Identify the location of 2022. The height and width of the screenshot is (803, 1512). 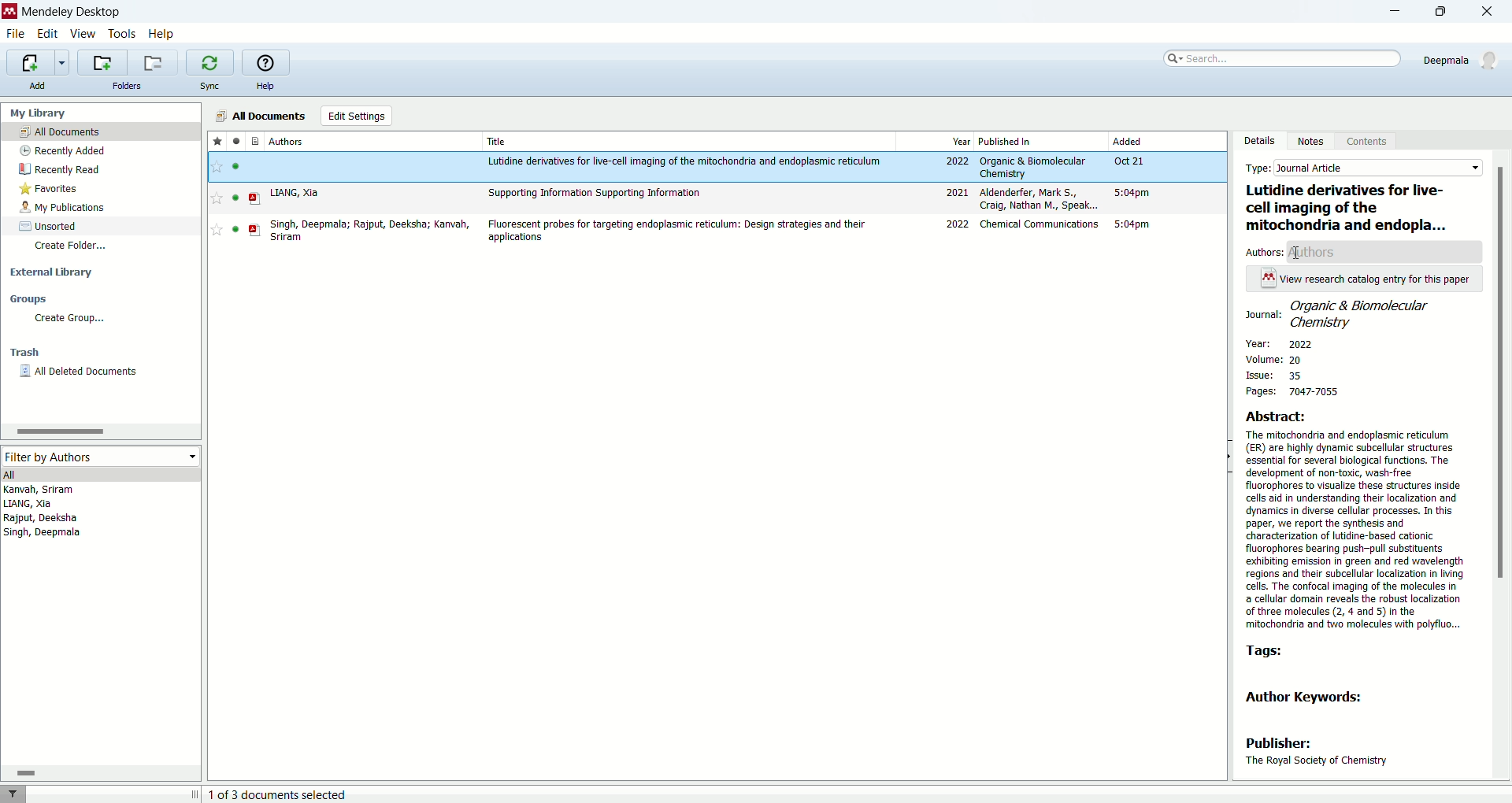
(957, 224).